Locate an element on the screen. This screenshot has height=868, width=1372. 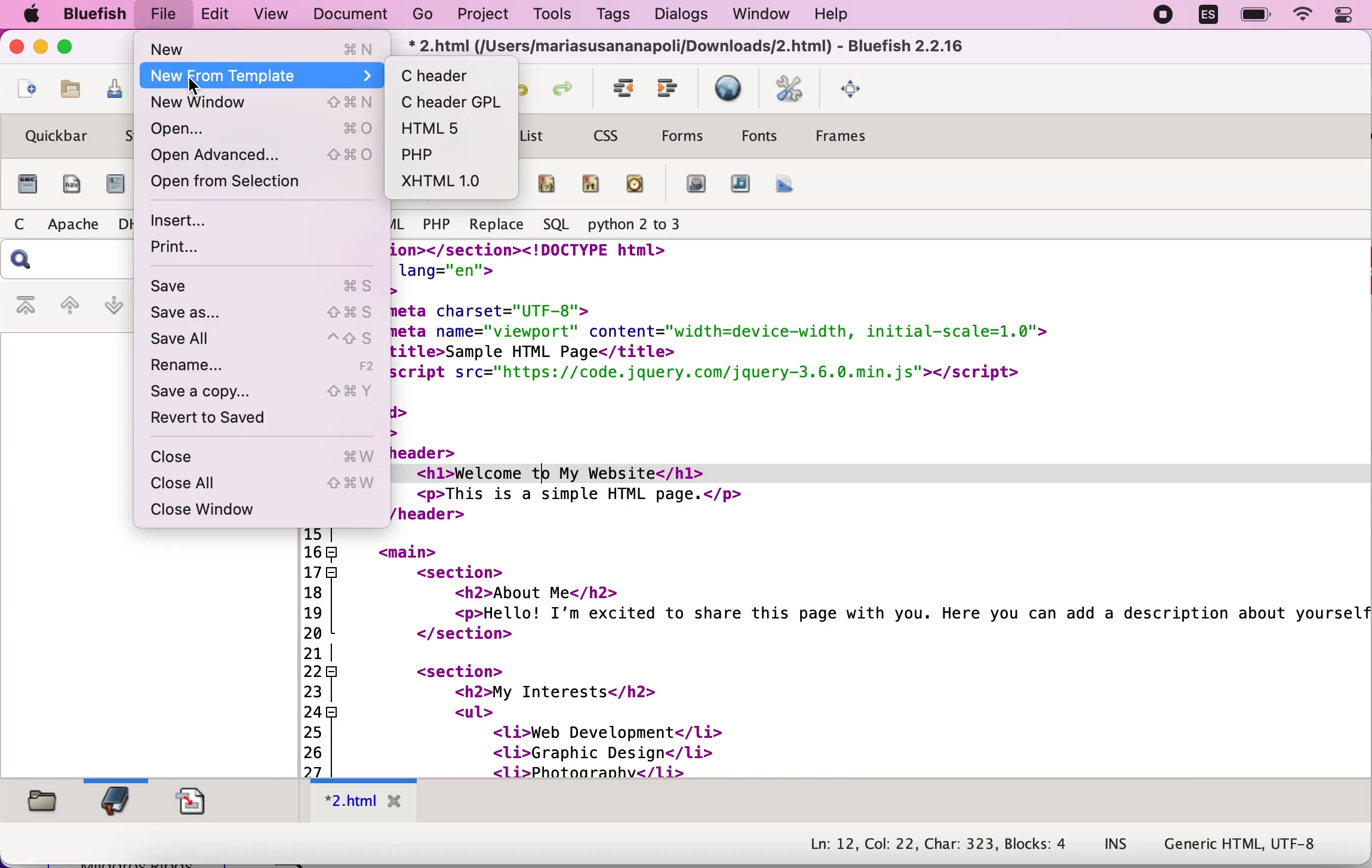
save a copy is located at coordinates (269, 392).